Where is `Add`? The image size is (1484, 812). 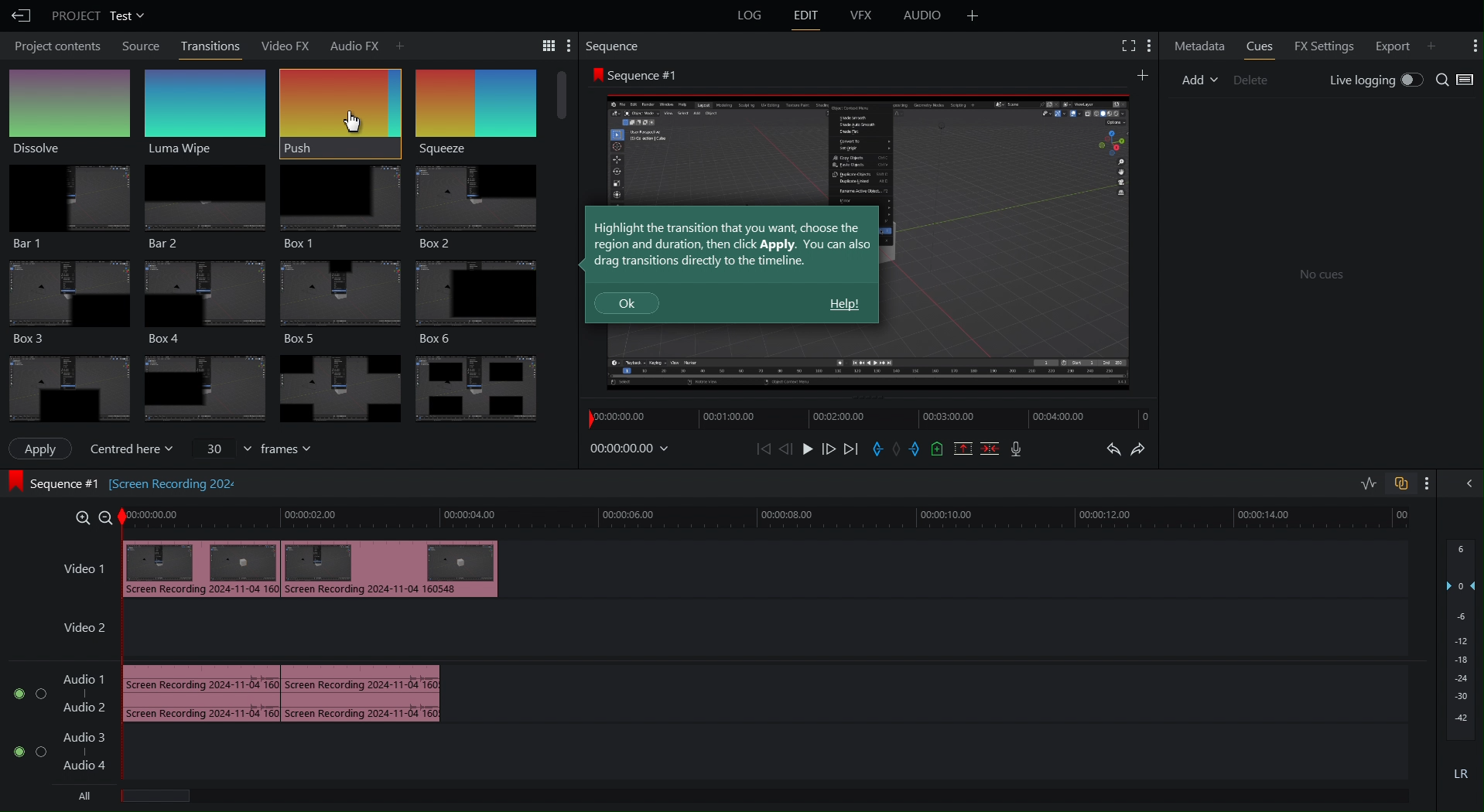
Add is located at coordinates (398, 44).